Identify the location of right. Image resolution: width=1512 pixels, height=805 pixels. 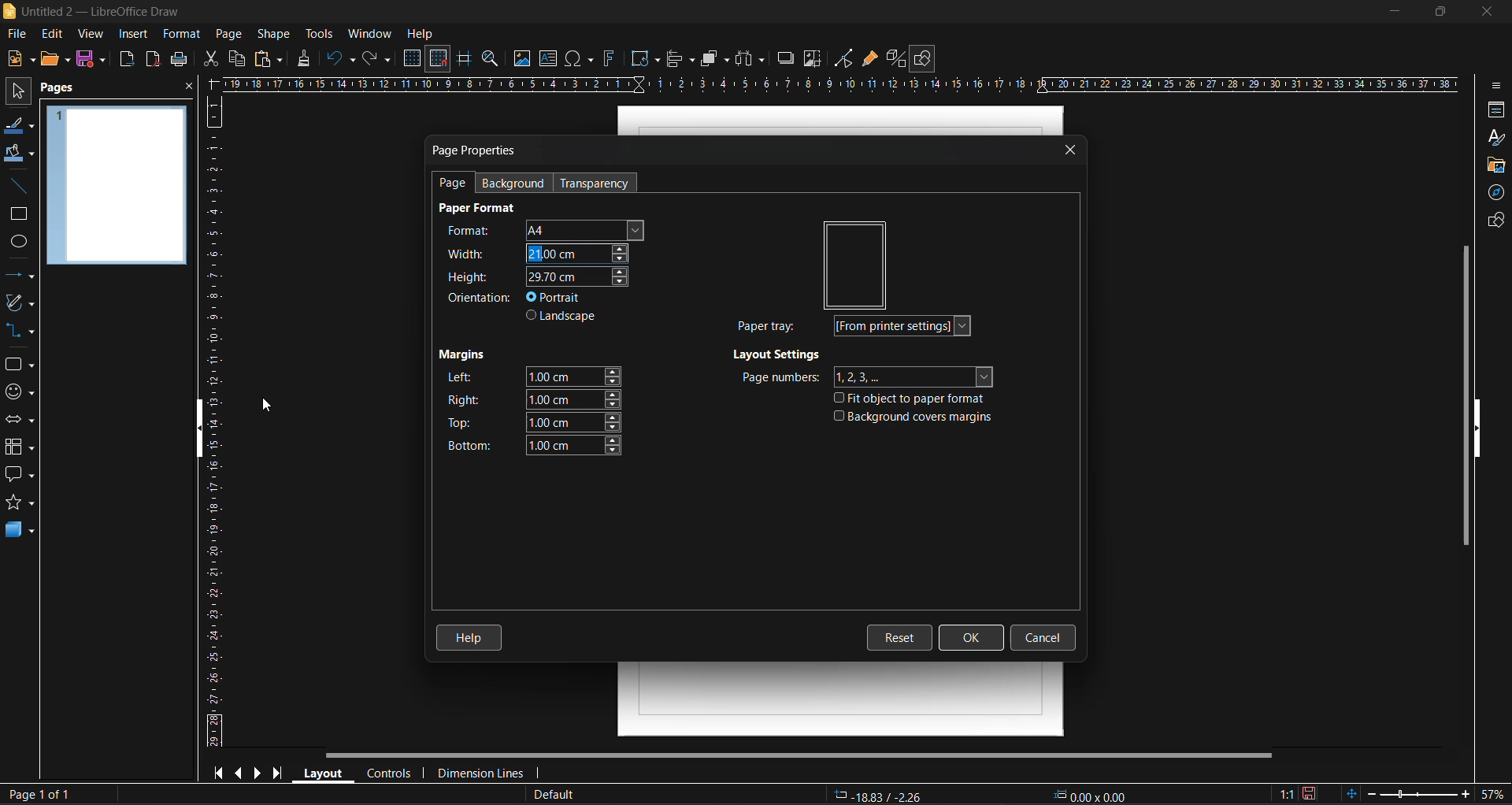
(534, 399).